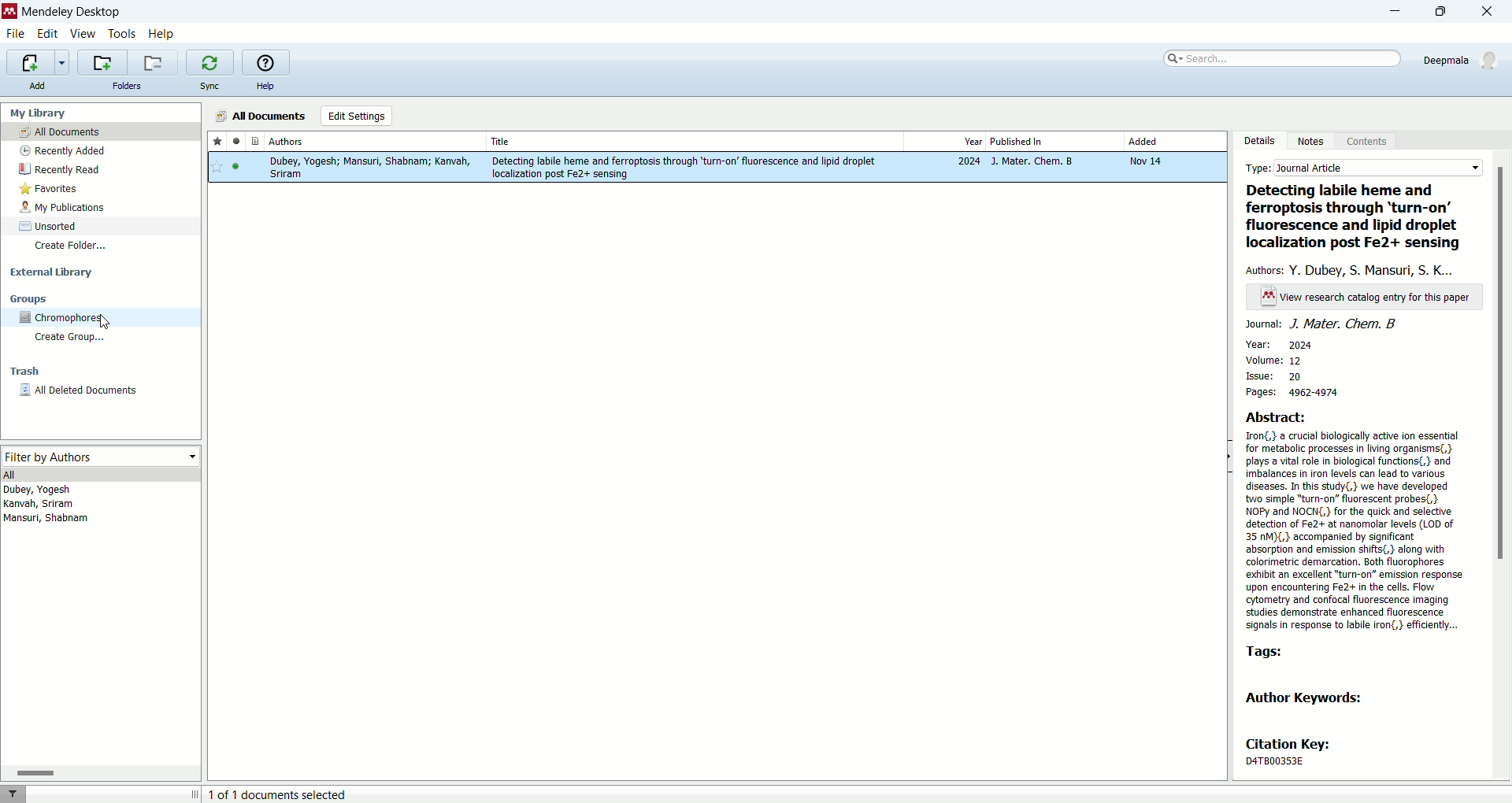 The height and width of the screenshot is (803, 1512). I want to click on documents, so click(253, 142).